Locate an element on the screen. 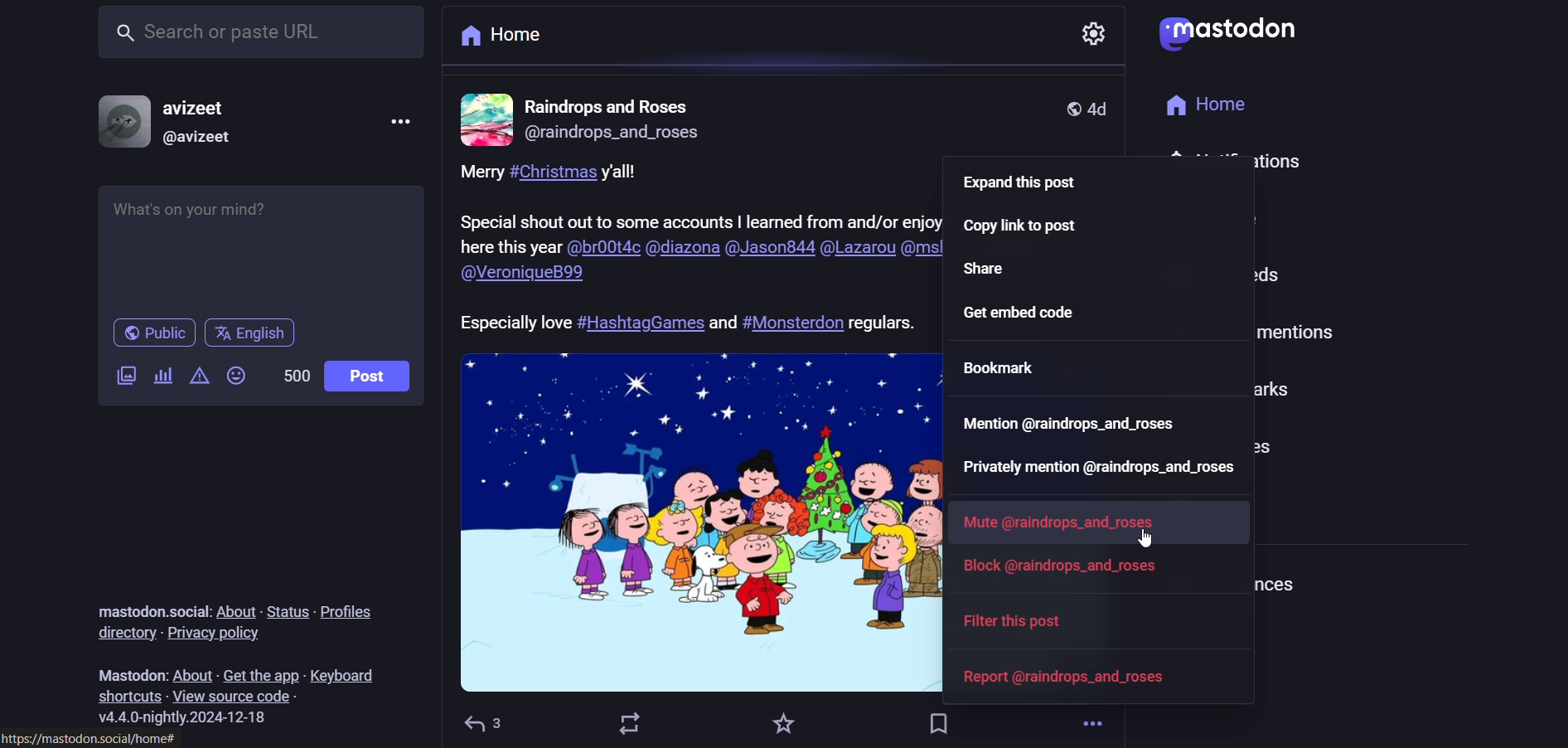 The image size is (1568, 748). post text is located at coordinates (698, 198).